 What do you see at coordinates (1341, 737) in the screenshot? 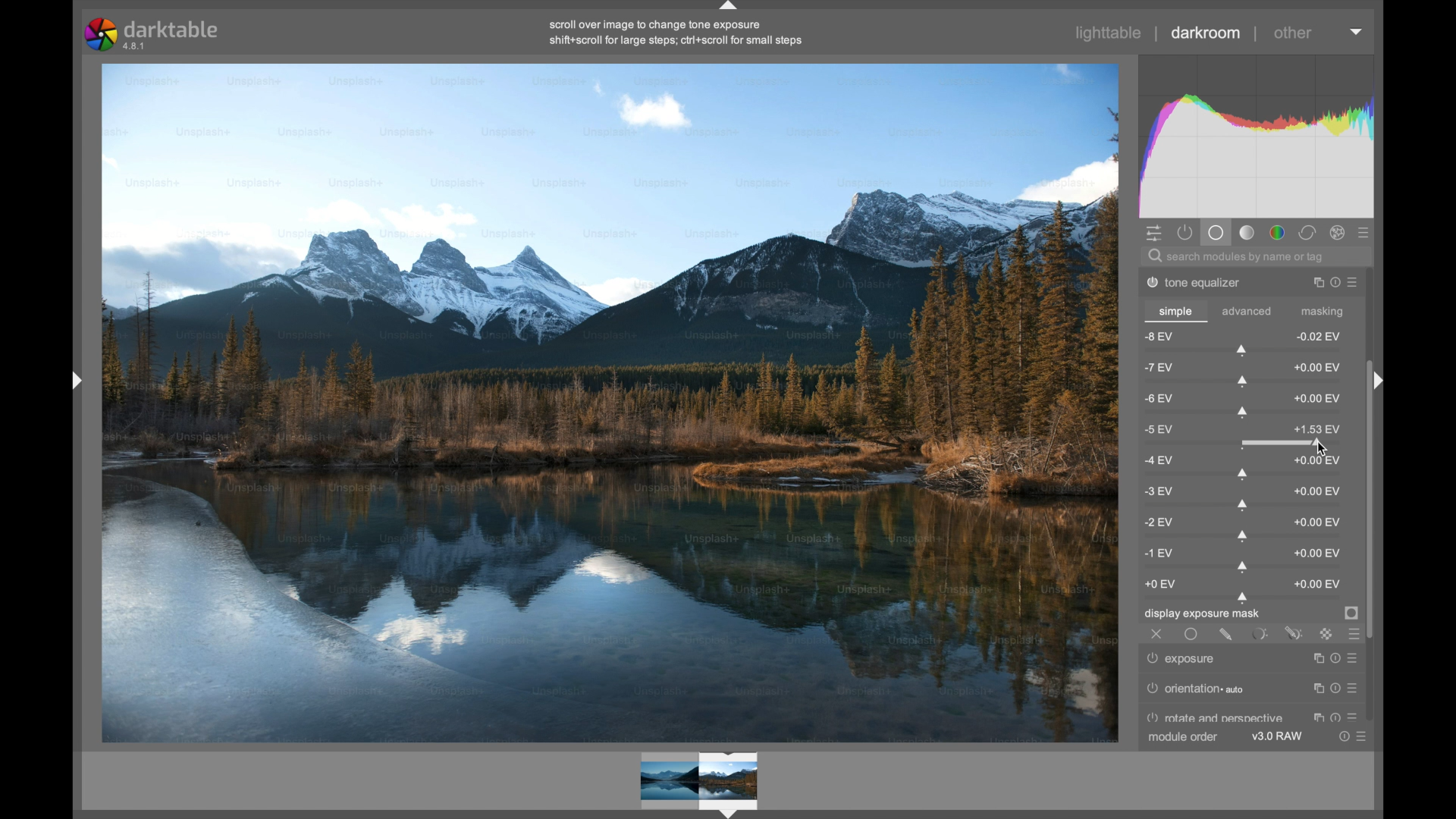
I see `reset parameters` at bounding box center [1341, 737].